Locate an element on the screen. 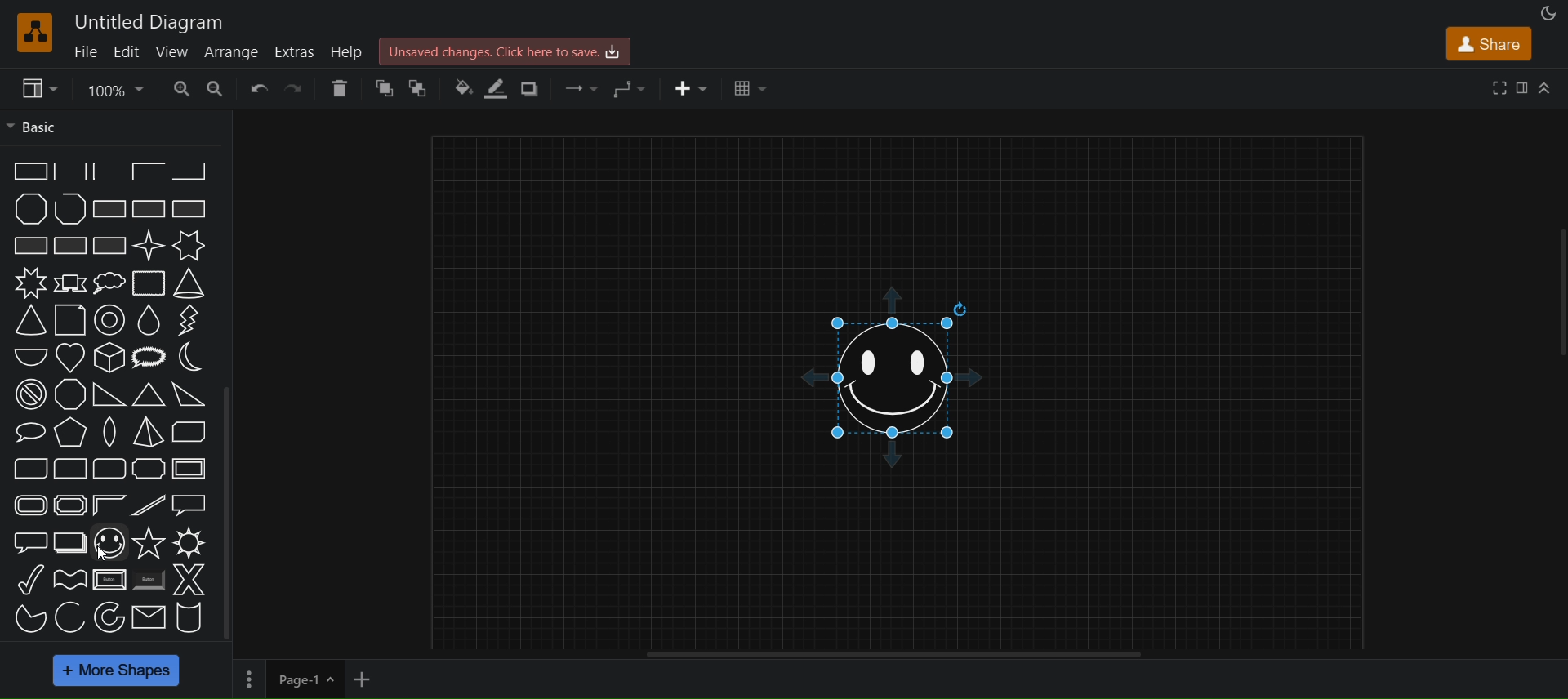 Image resolution: width=1568 pixels, height=699 pixels. appearance is located at coordinates (1546, 14).